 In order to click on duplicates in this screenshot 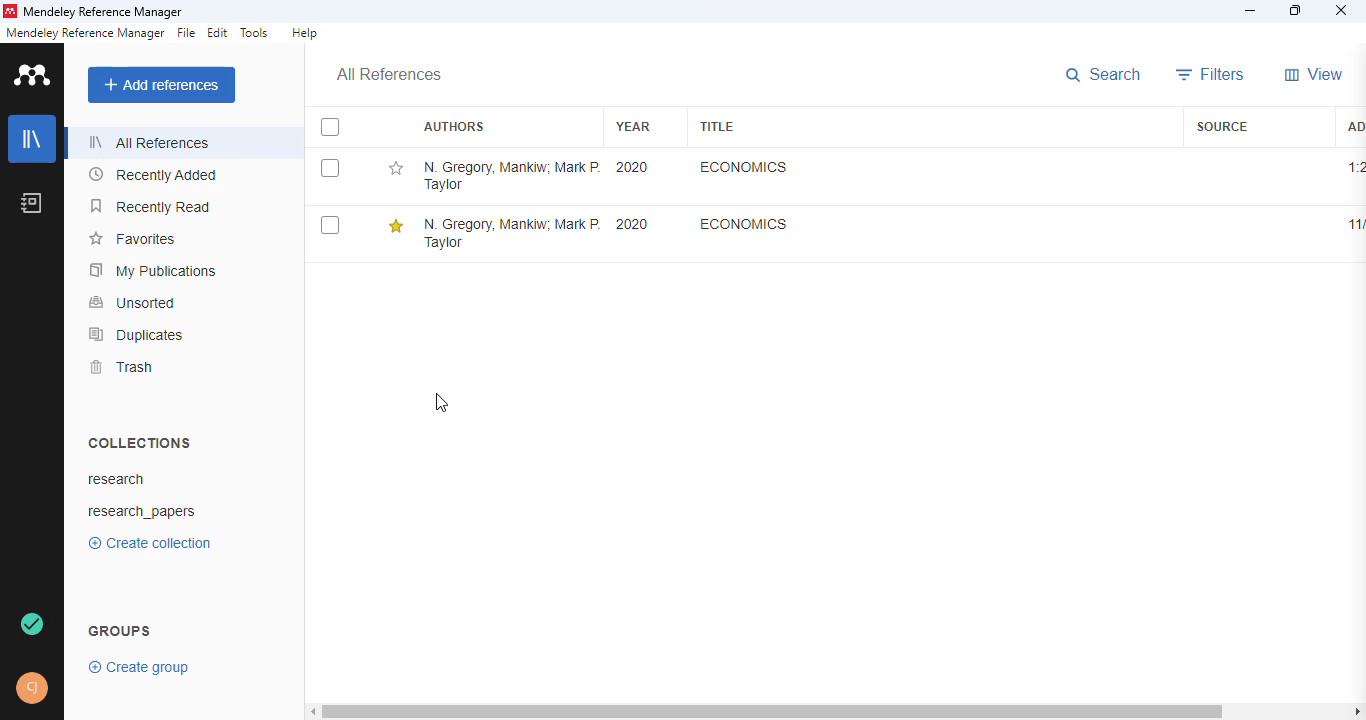, I will do `click(137, 334)`.